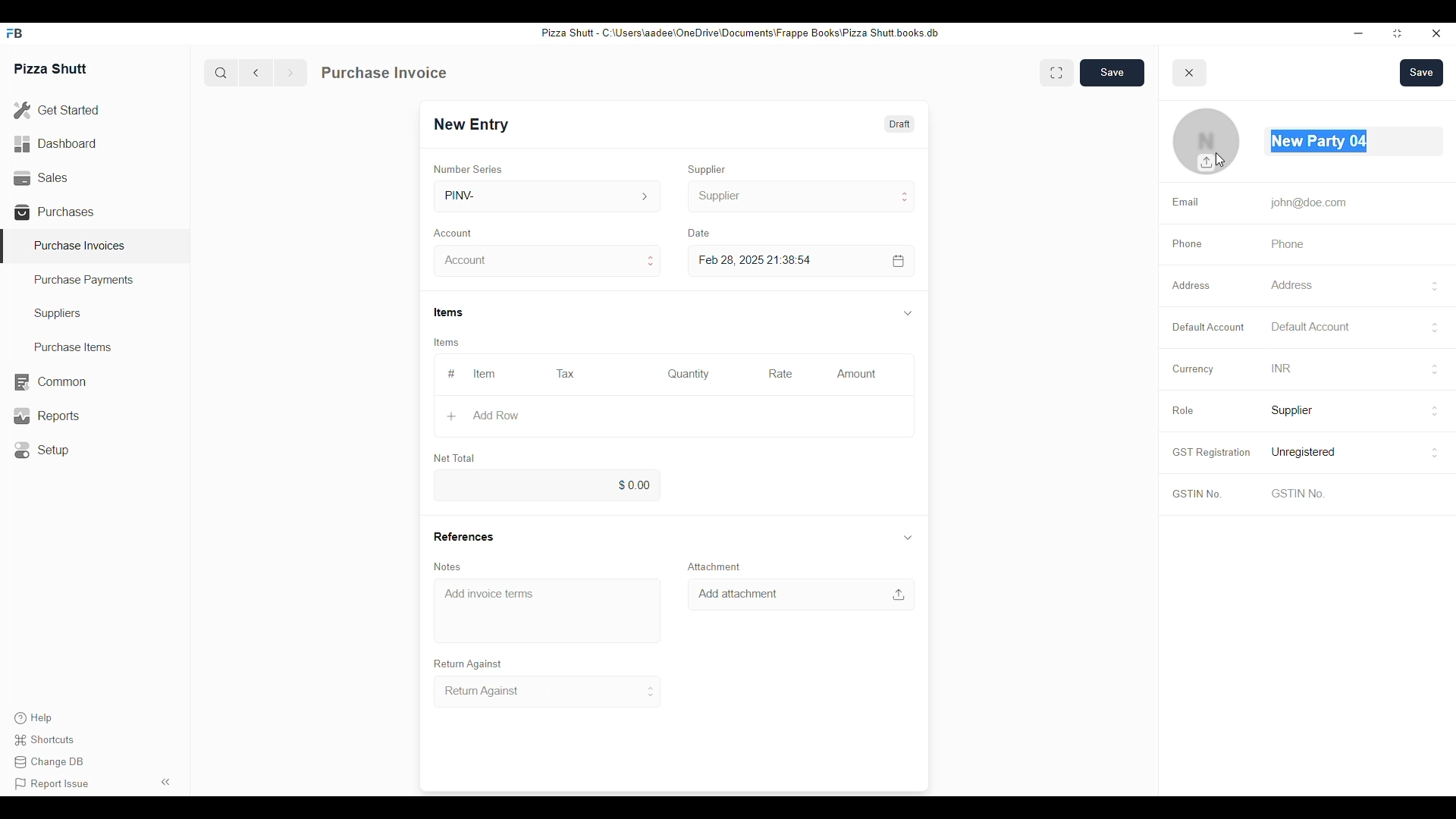 The width and height of the screenshot is (1456, 819). Describe the element at coordinates (1207, 141) in the screenshot. I see `Profile photo` at that location.